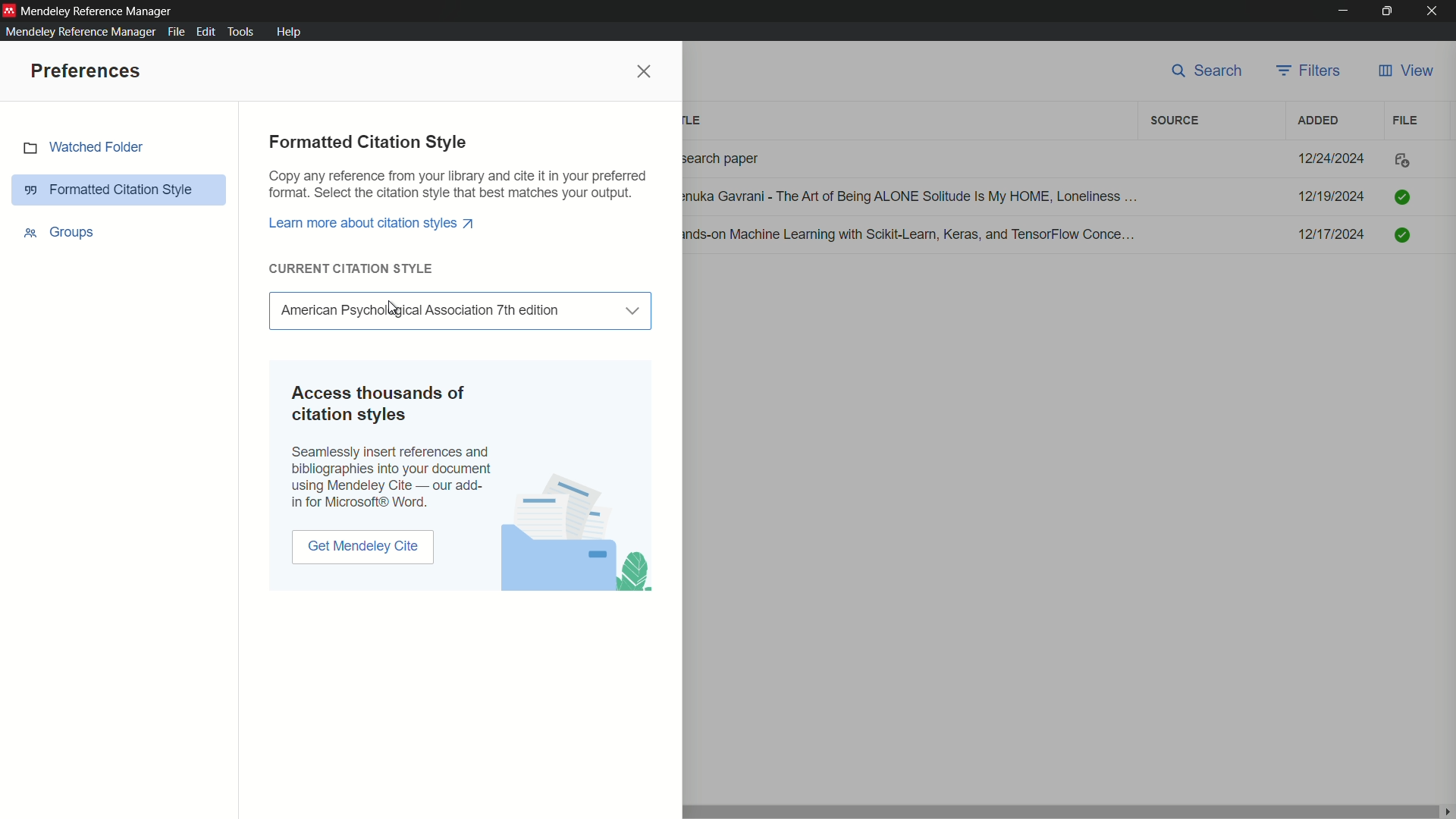 The width and height of the screenshot is (1456, 819). I want to click on cursor, so click(399, 309).